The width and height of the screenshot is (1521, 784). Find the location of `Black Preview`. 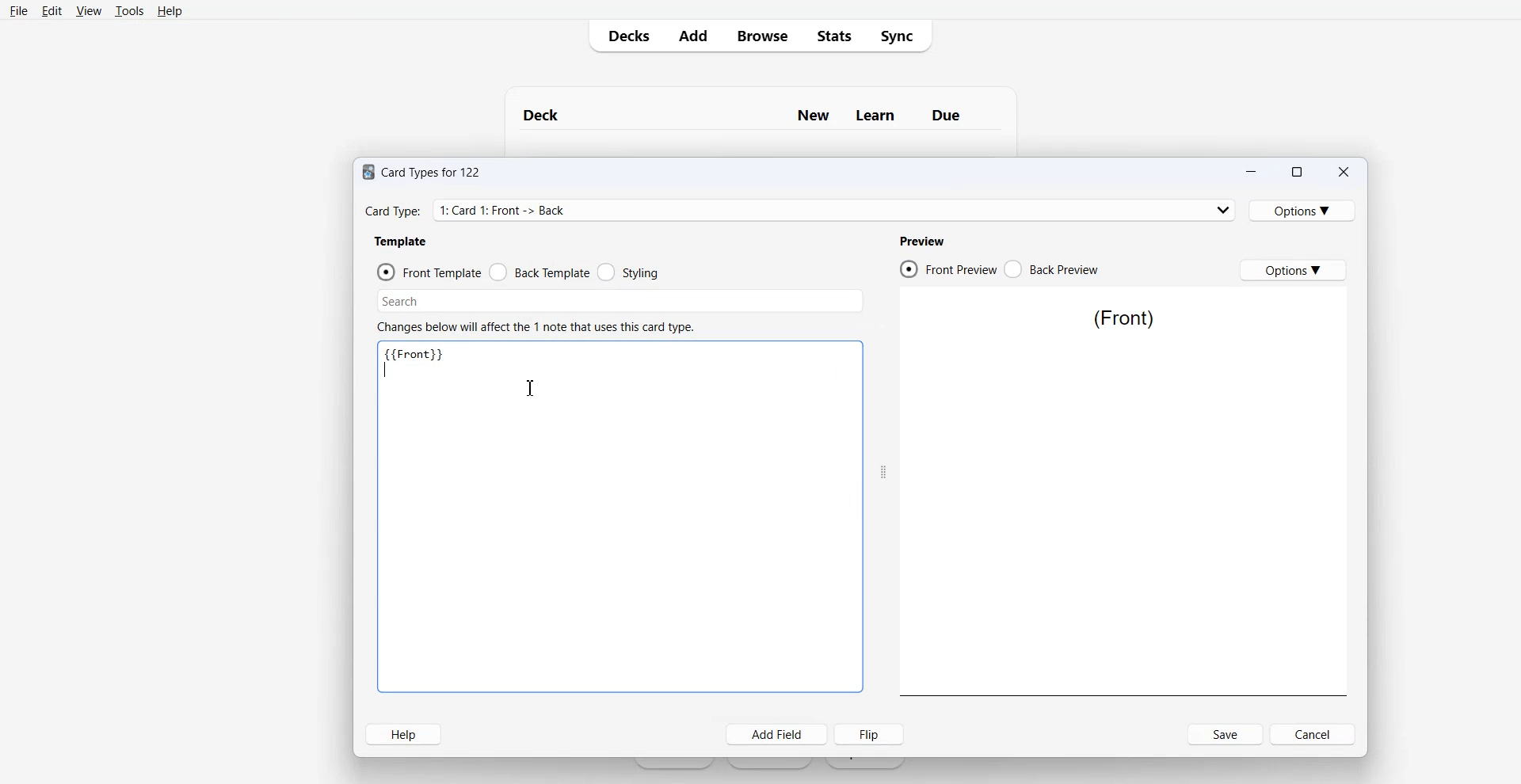

Black Preview is located at coordinates (1050, 268).